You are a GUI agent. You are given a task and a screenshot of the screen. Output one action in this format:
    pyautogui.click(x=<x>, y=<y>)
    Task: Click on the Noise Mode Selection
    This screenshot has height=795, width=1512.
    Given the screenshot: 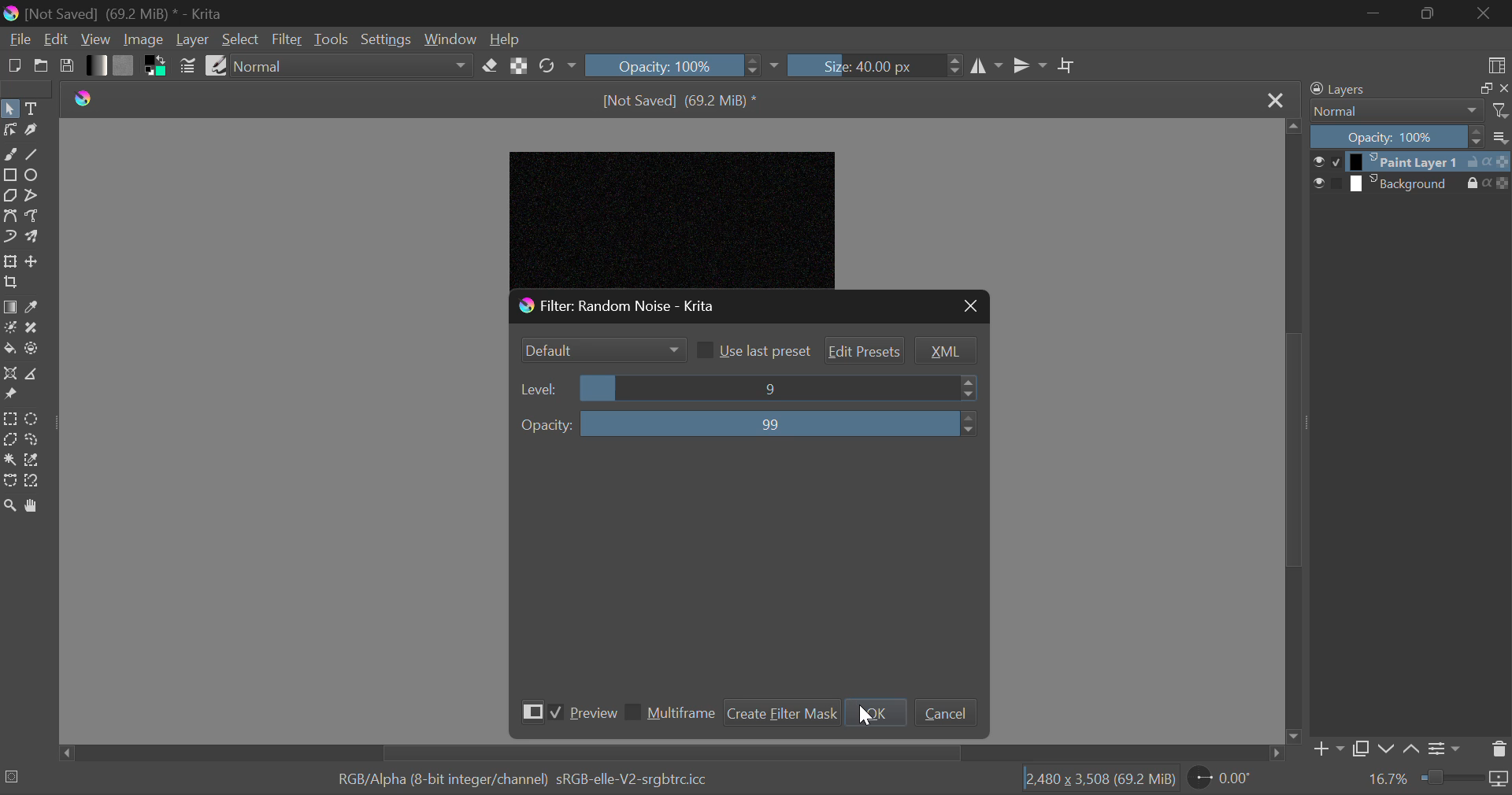 What is the action you would take?
    pyautogui.click(x=601, y=348)
    